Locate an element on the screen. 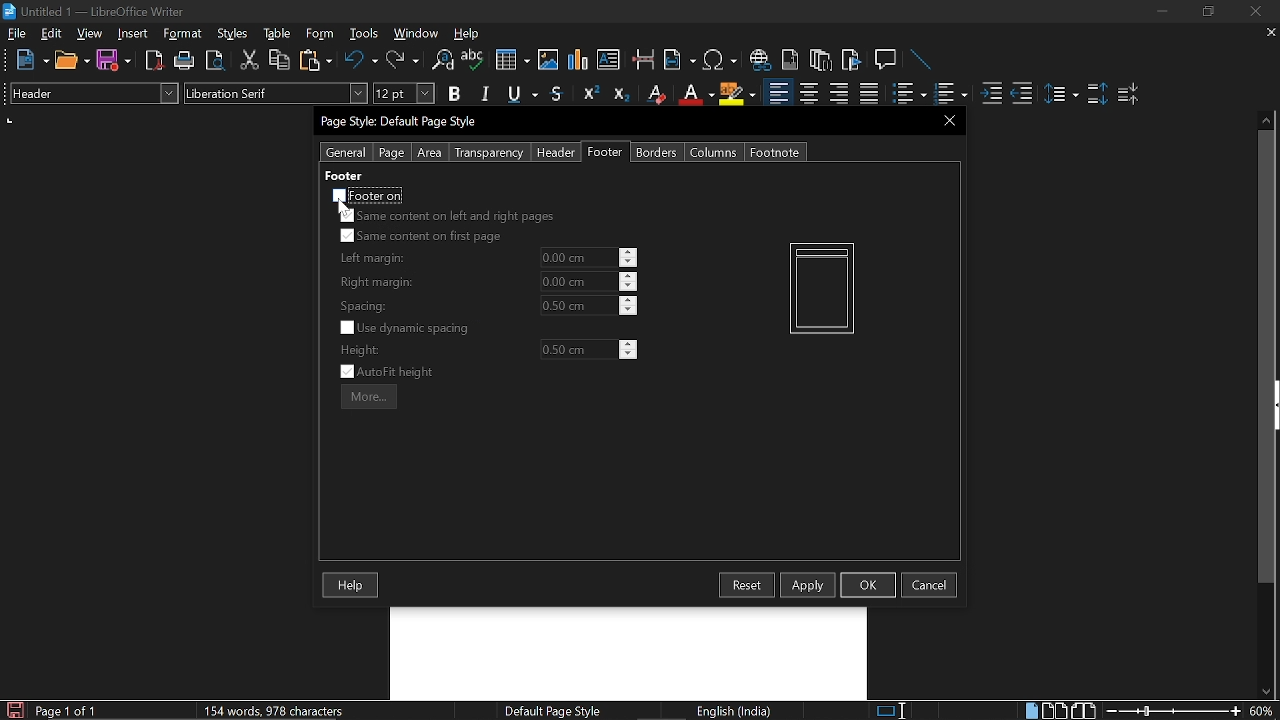 Image resolution: width=1280 pixels, height=720 pixels. Decrease indent is located at coordinates (1022, 93).